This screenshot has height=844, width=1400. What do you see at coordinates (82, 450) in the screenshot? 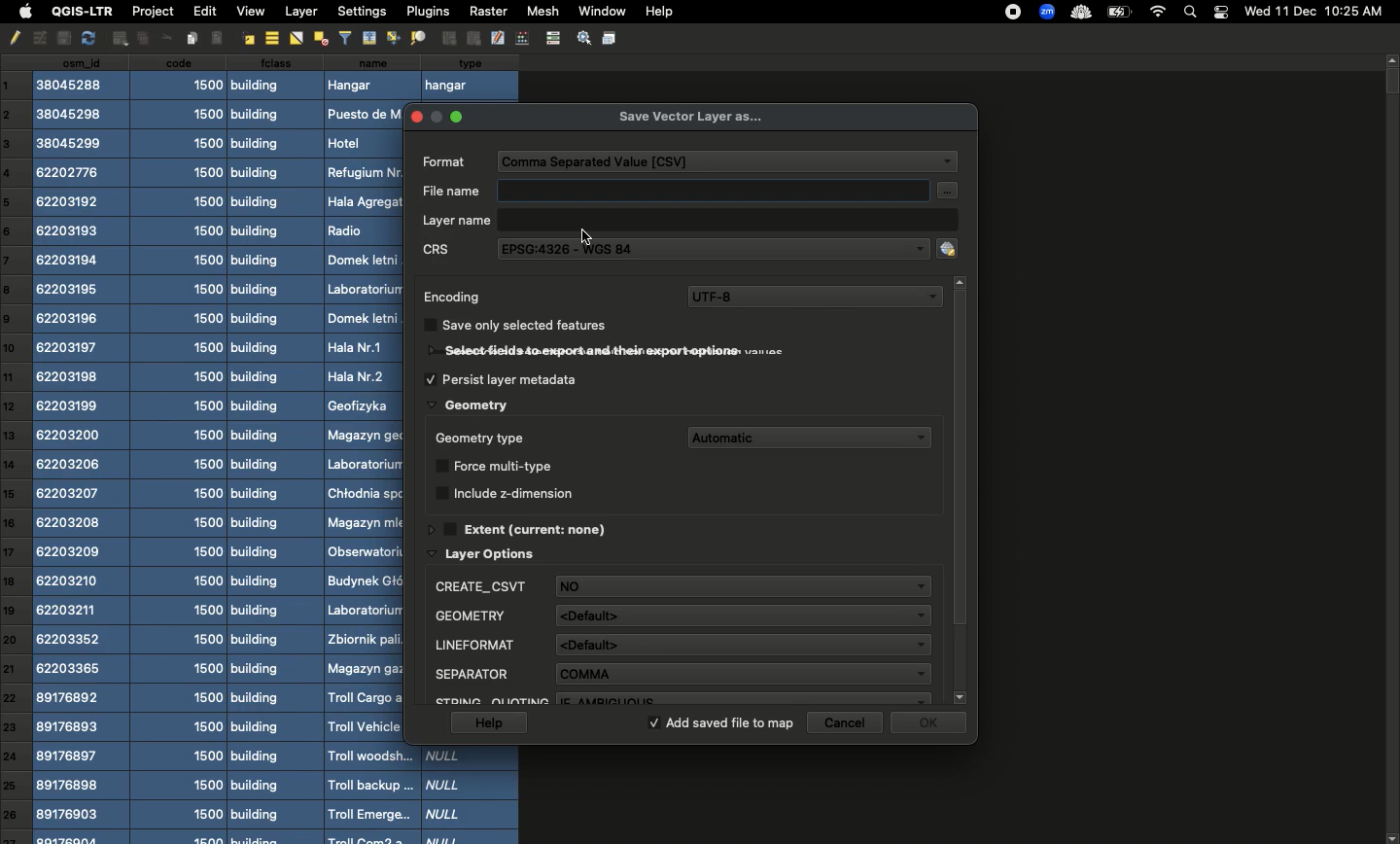
I see `csn_id` at bounding box center [82, 450].